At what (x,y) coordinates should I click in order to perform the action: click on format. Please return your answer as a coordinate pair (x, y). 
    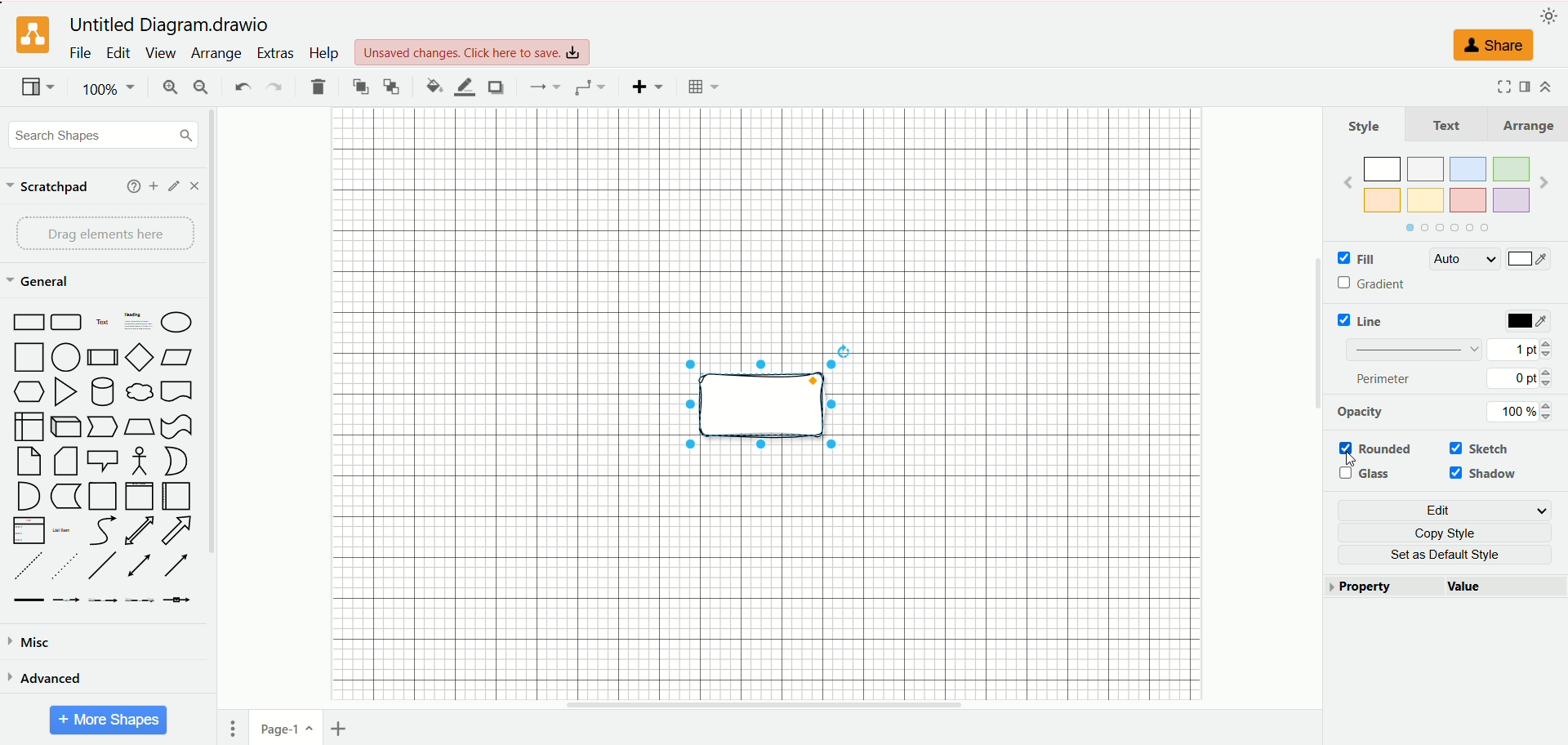
    Looking at the image, I should click on (1526, 85).